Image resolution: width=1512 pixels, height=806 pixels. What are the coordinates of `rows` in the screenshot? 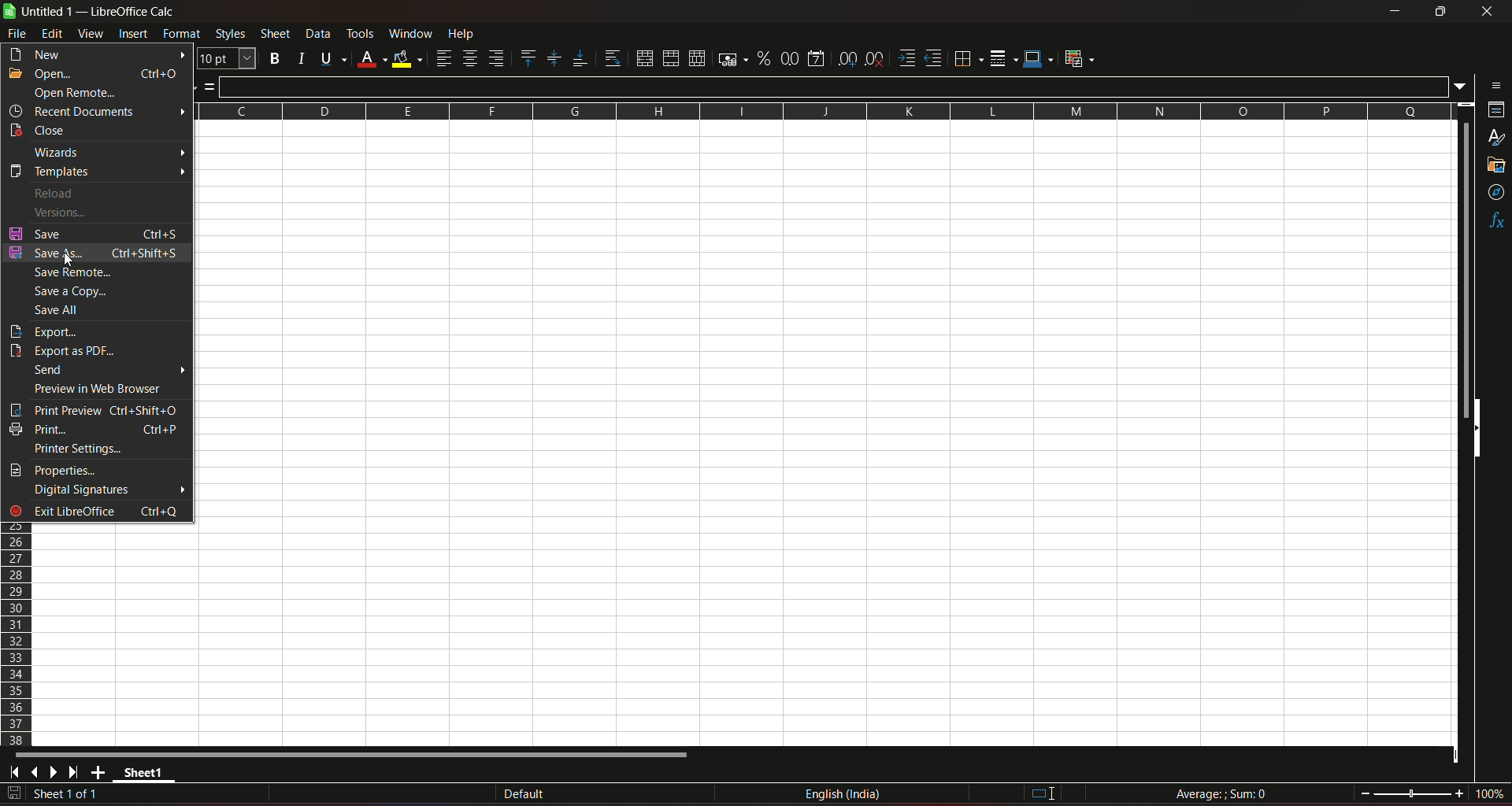 It's located at (15, 634).